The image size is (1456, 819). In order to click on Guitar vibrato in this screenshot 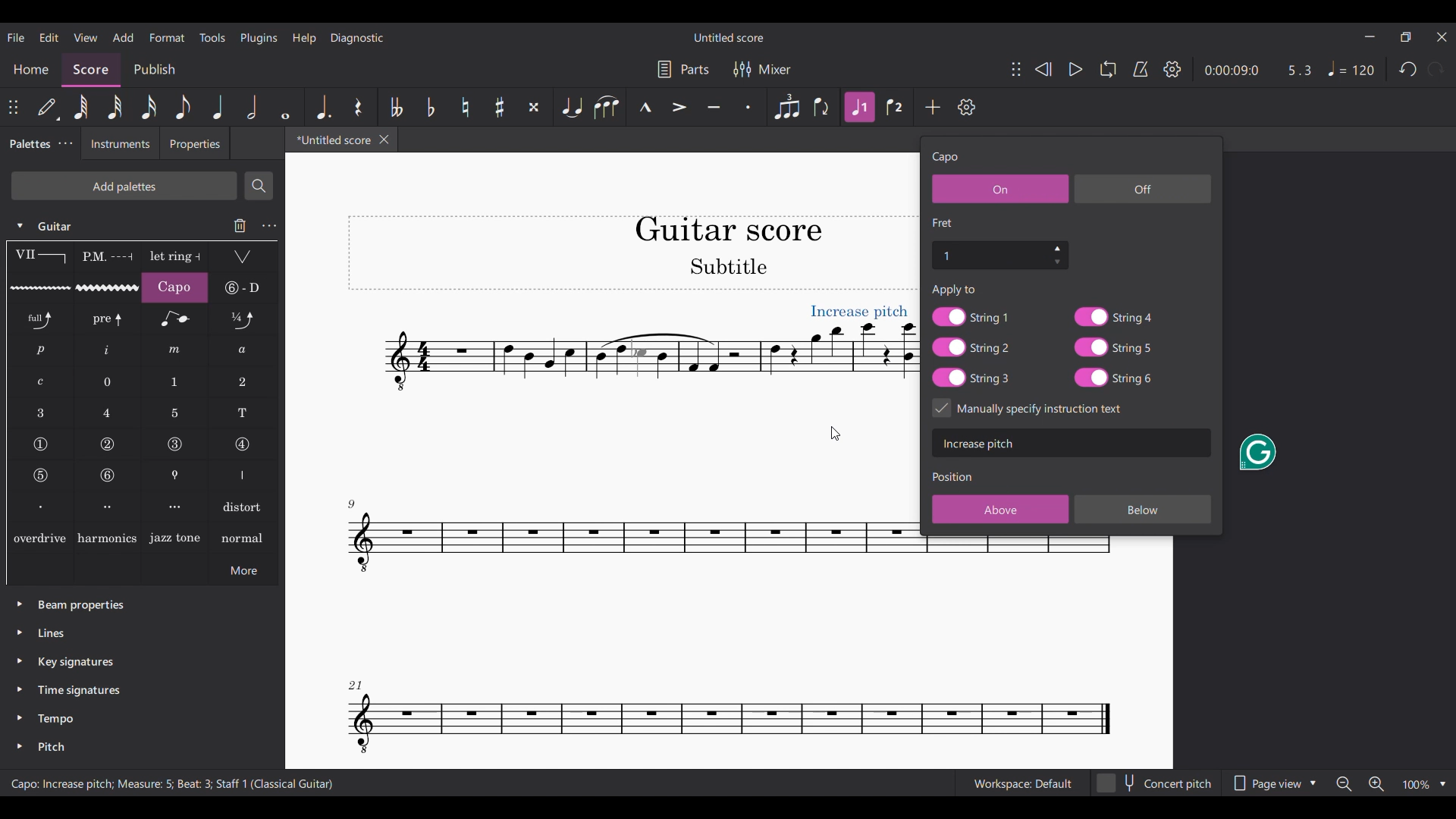, I will do `click(40, 288)`.